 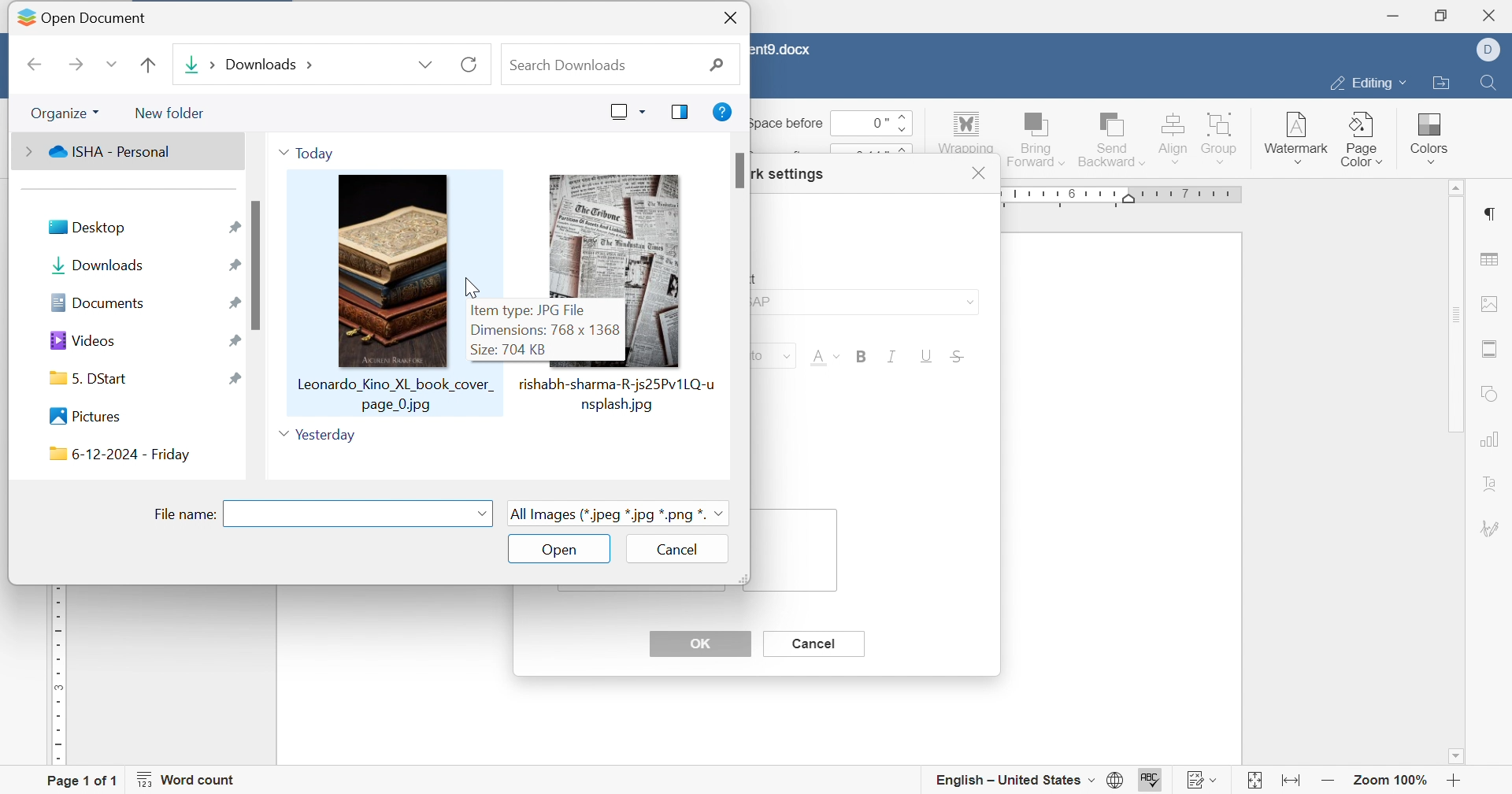 I want to click on reload, so click(x=467, y=64).